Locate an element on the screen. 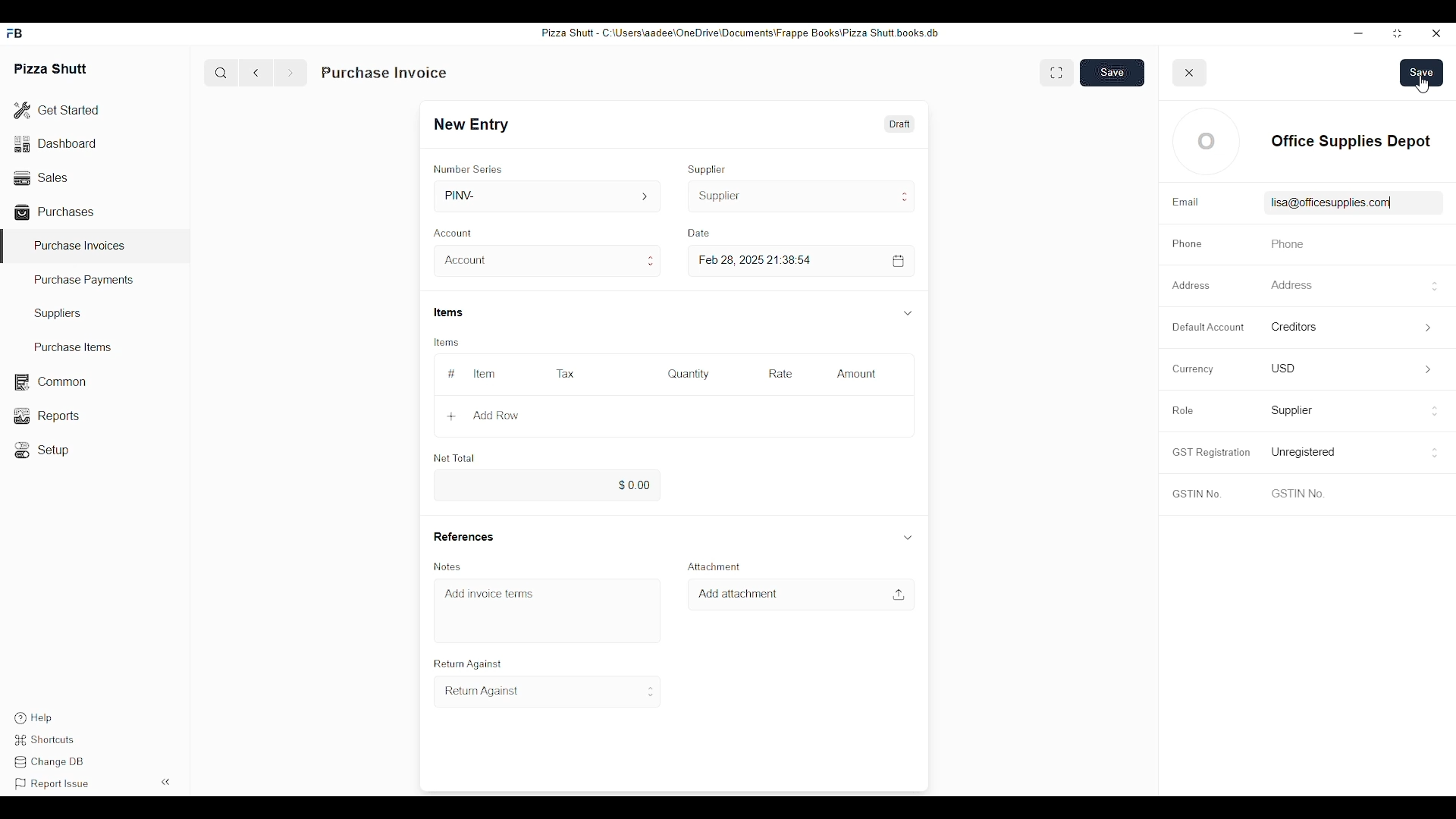 This screenshot has height=819, width=1456. Notes is located at coordinates (450, 566).